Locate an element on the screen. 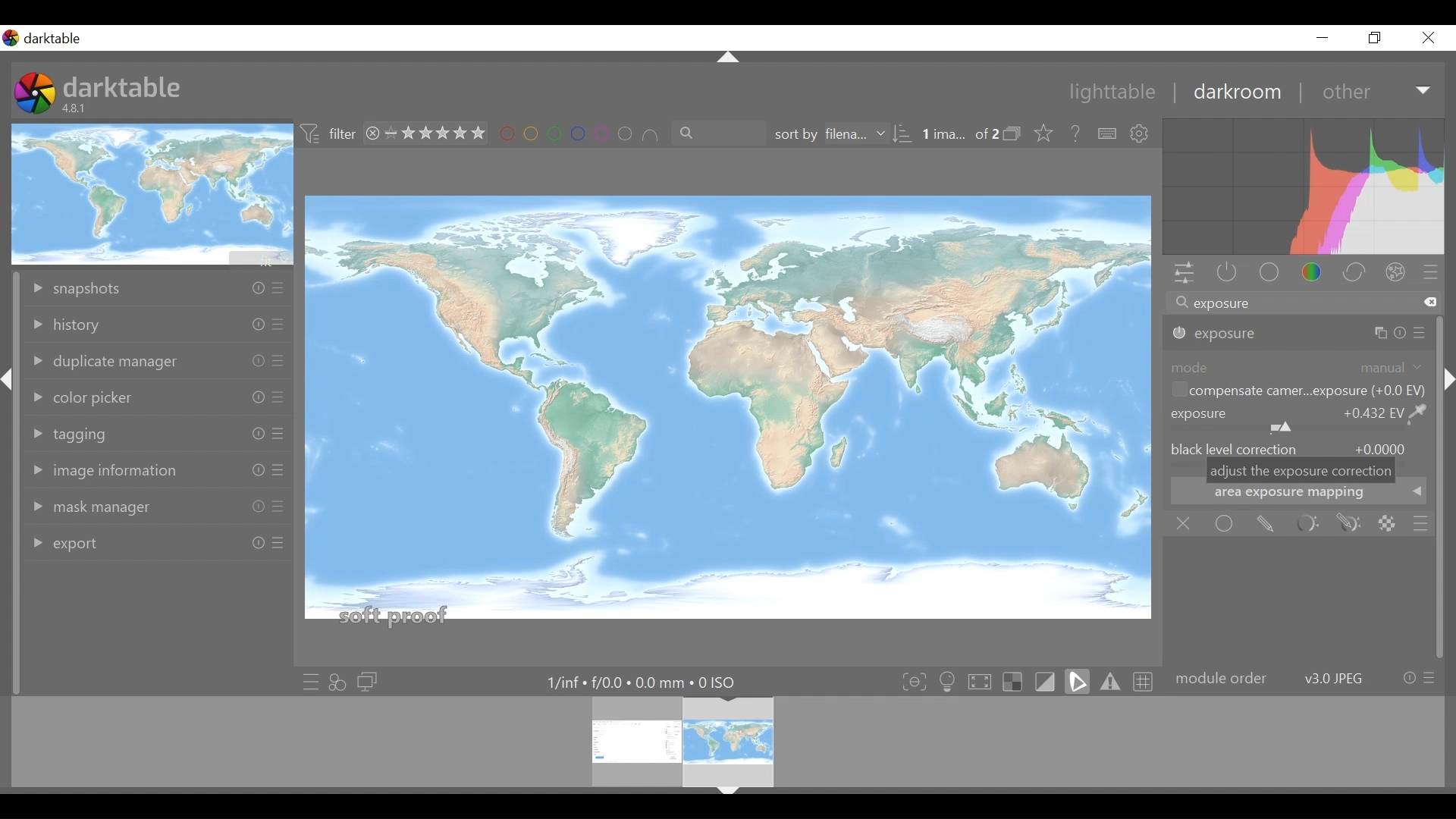 This screenshot has width=1456, height=819.  is located at coordinates (1322, 37).